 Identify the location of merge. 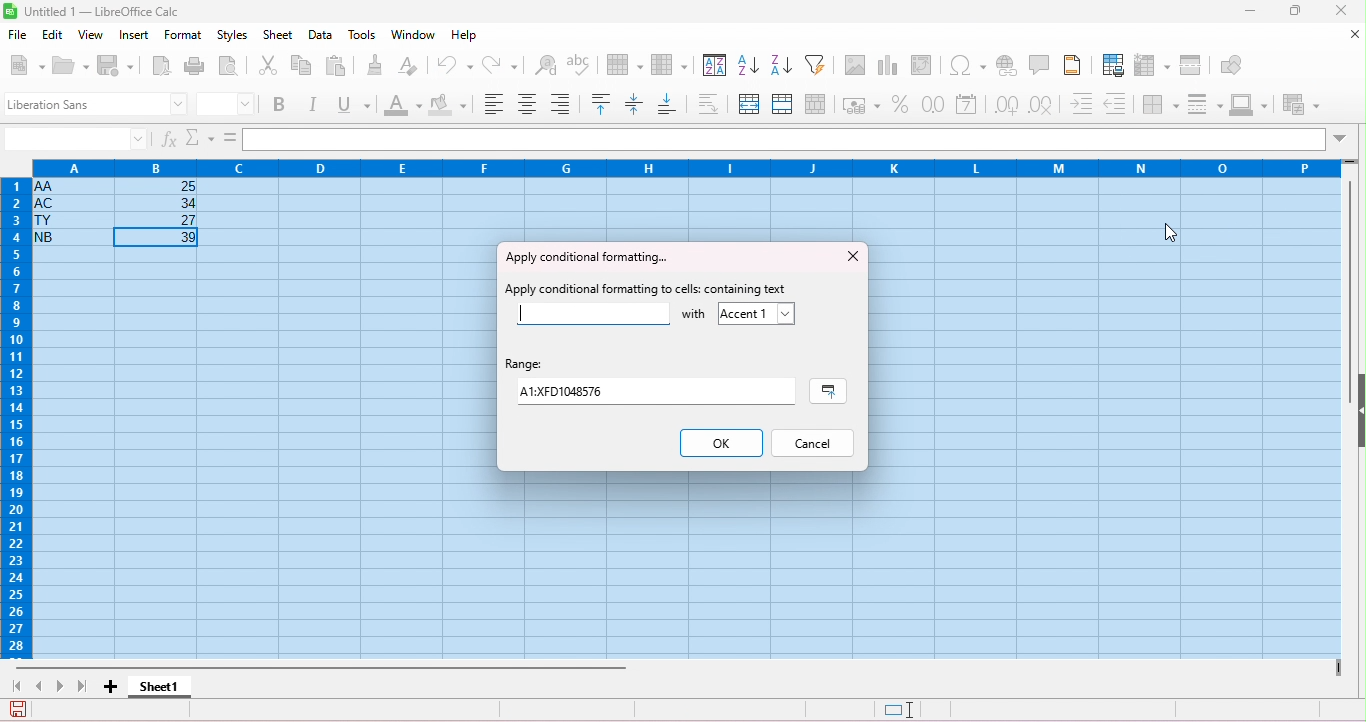
(782, 103).